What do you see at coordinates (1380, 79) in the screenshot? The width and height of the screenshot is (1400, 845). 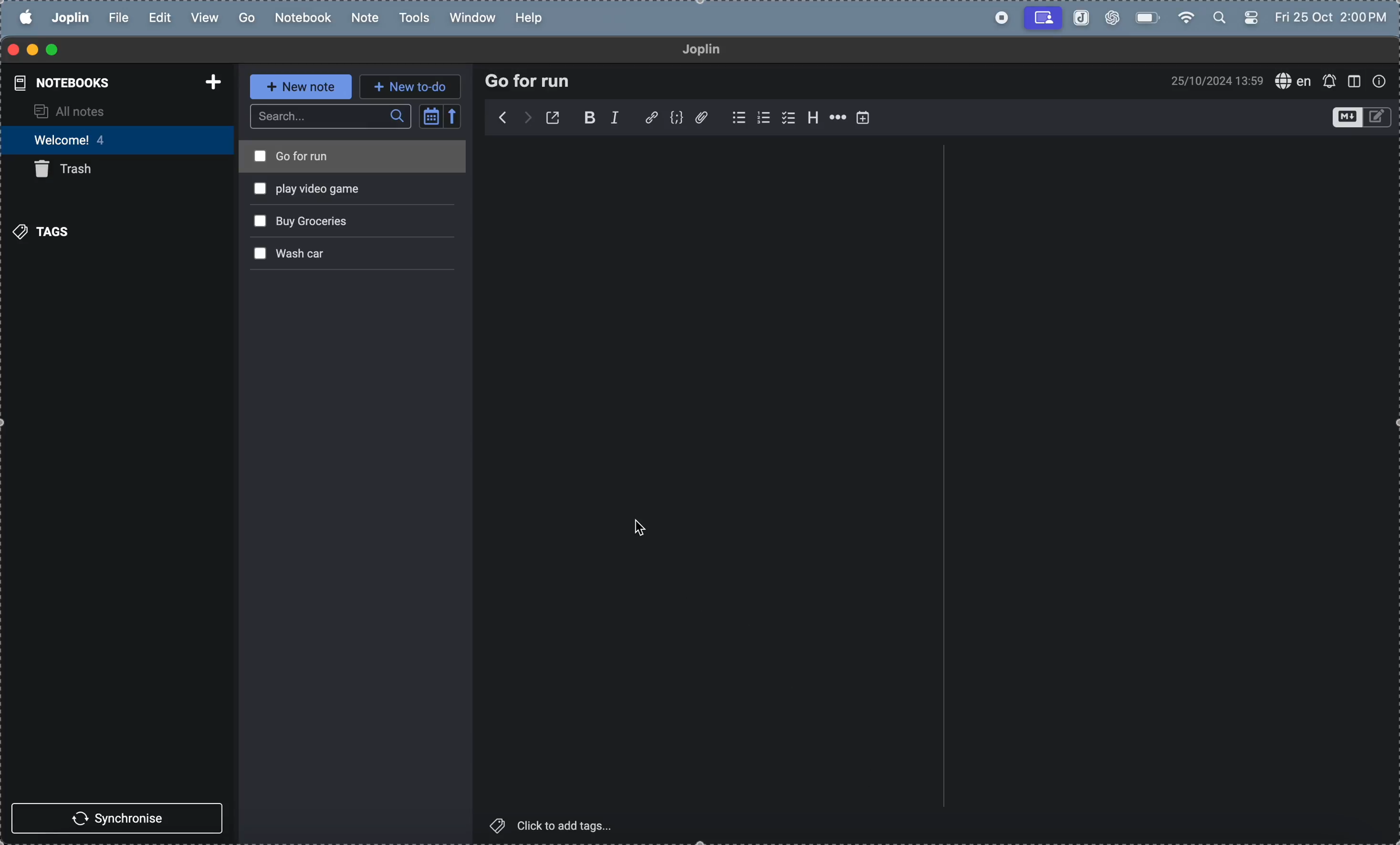 I see `note properties` at bounding box center [1380, 79].